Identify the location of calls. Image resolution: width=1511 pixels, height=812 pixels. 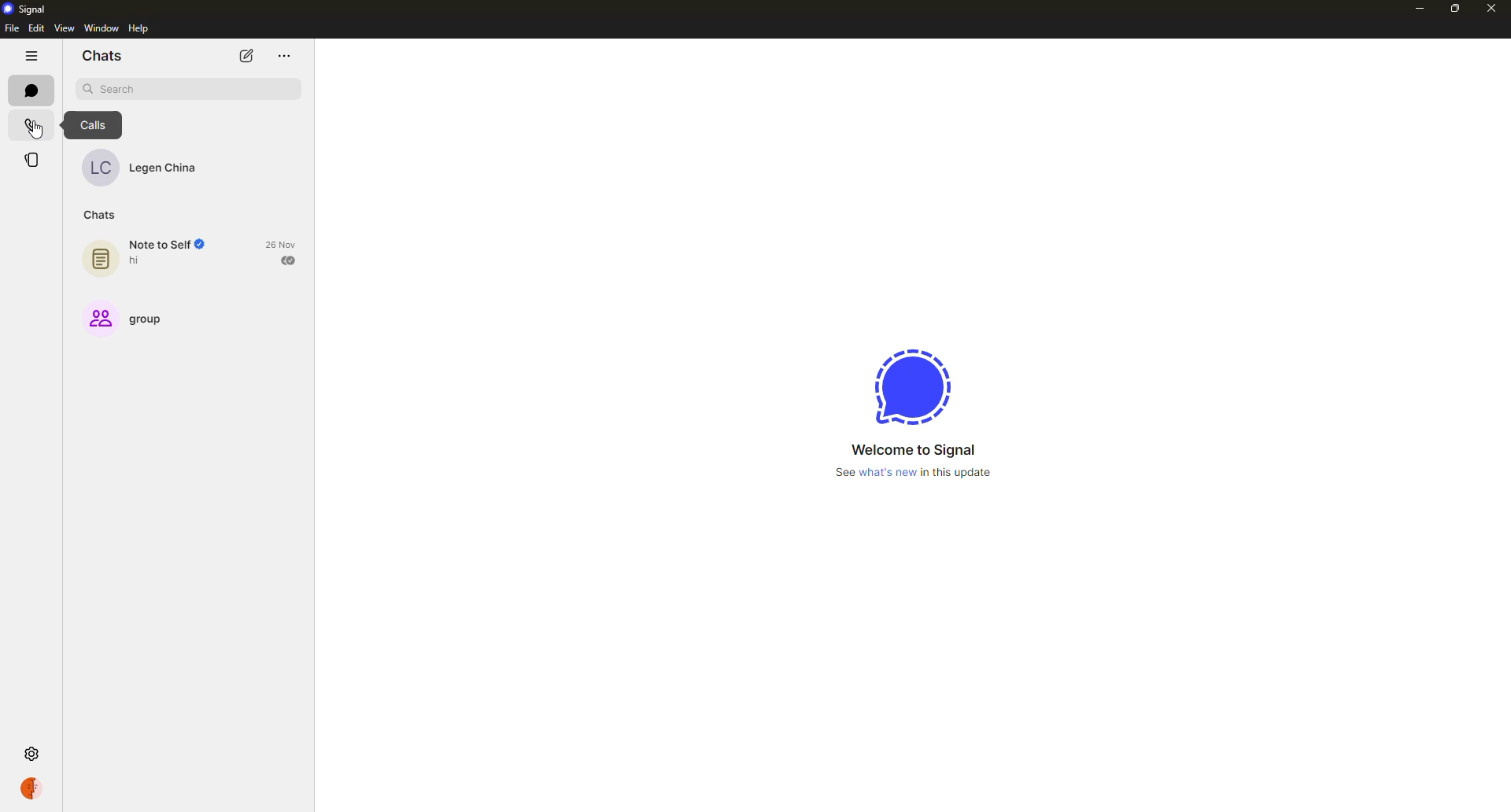
(31, 125).